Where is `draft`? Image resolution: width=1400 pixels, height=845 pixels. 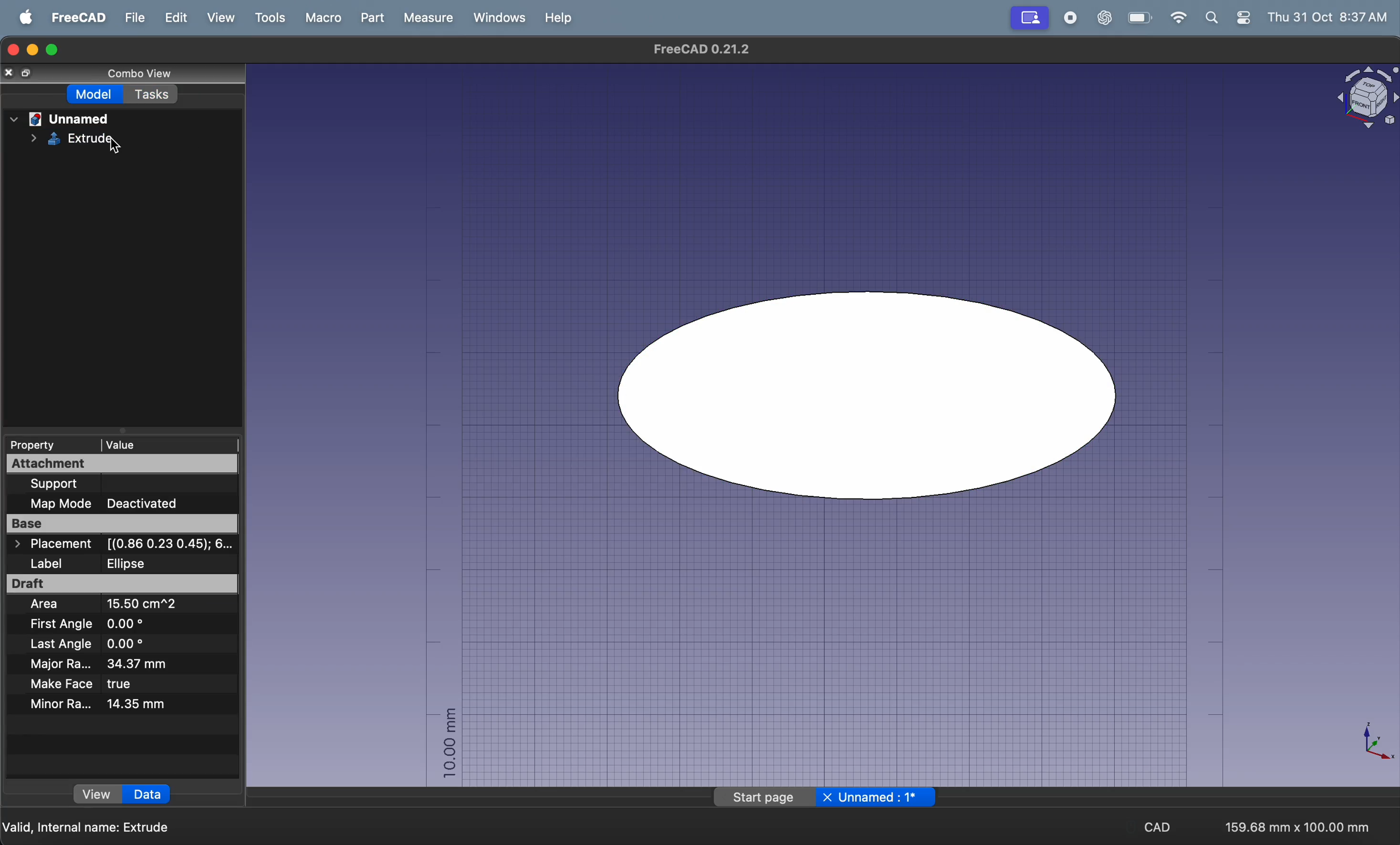
draft is located at coordinates (122, 584).